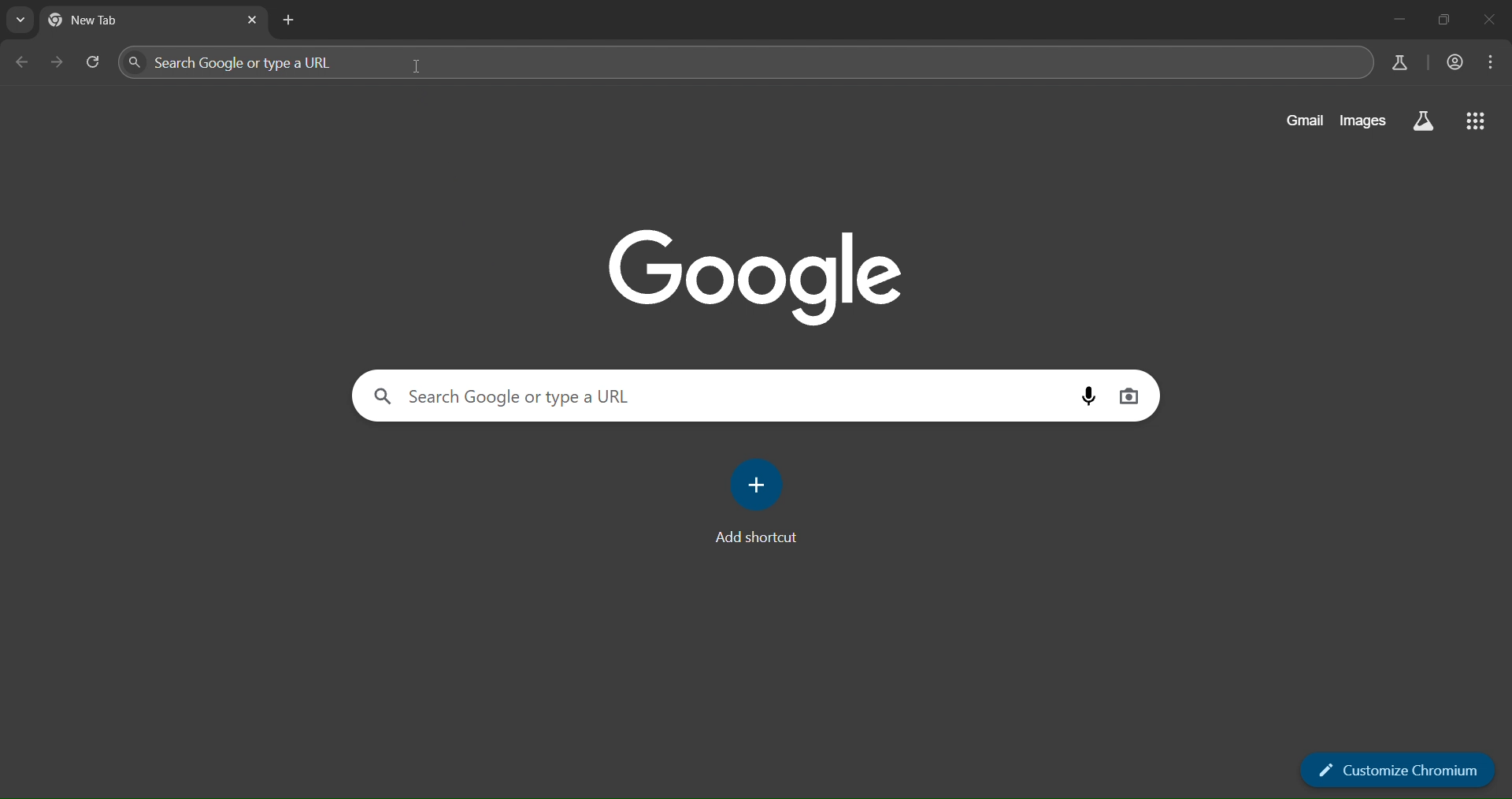 This screenshot has width=1512, height=799. I want to click on voice search, so click(1091, 398).